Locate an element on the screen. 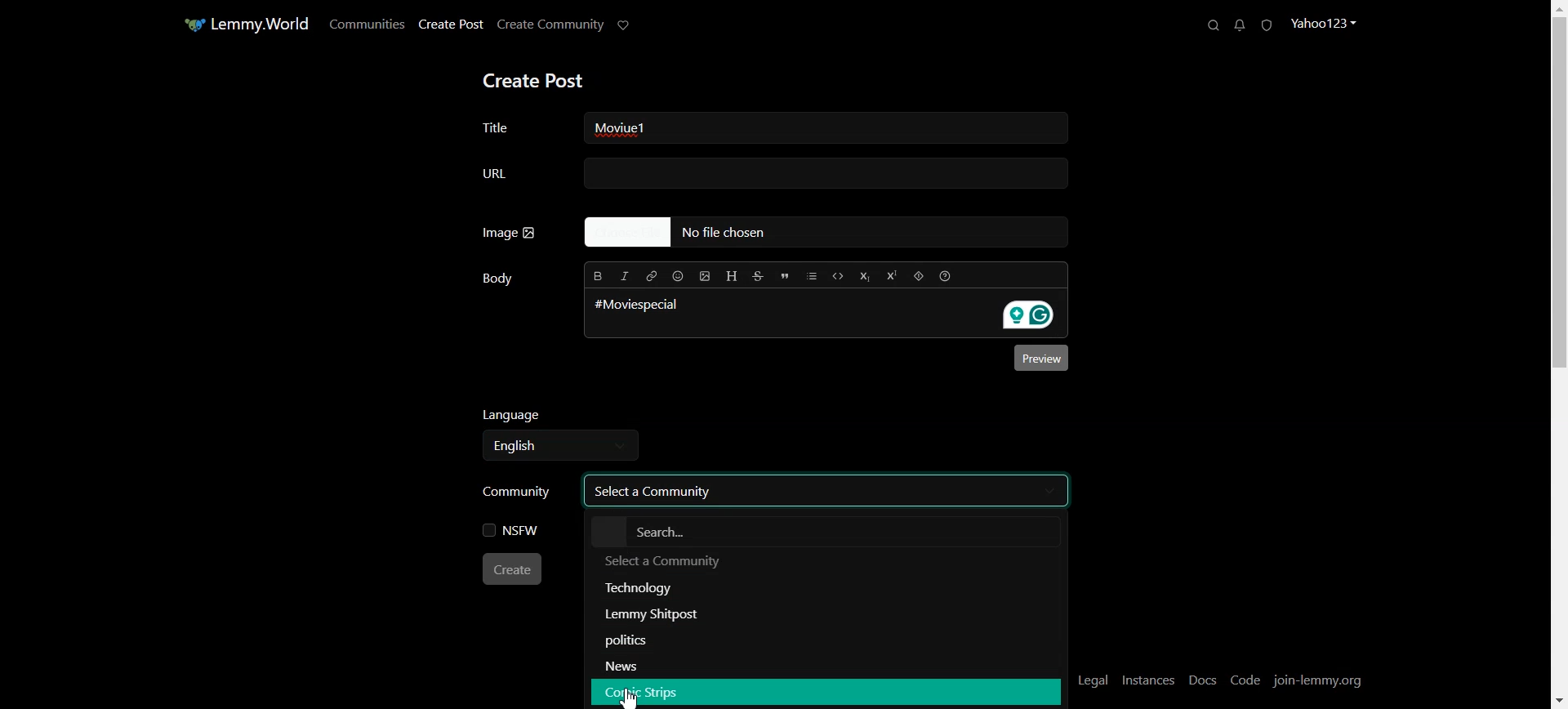 The height and width of the screenshot is (709, 1568). Support Limmy is located at coordinates (624, 25).